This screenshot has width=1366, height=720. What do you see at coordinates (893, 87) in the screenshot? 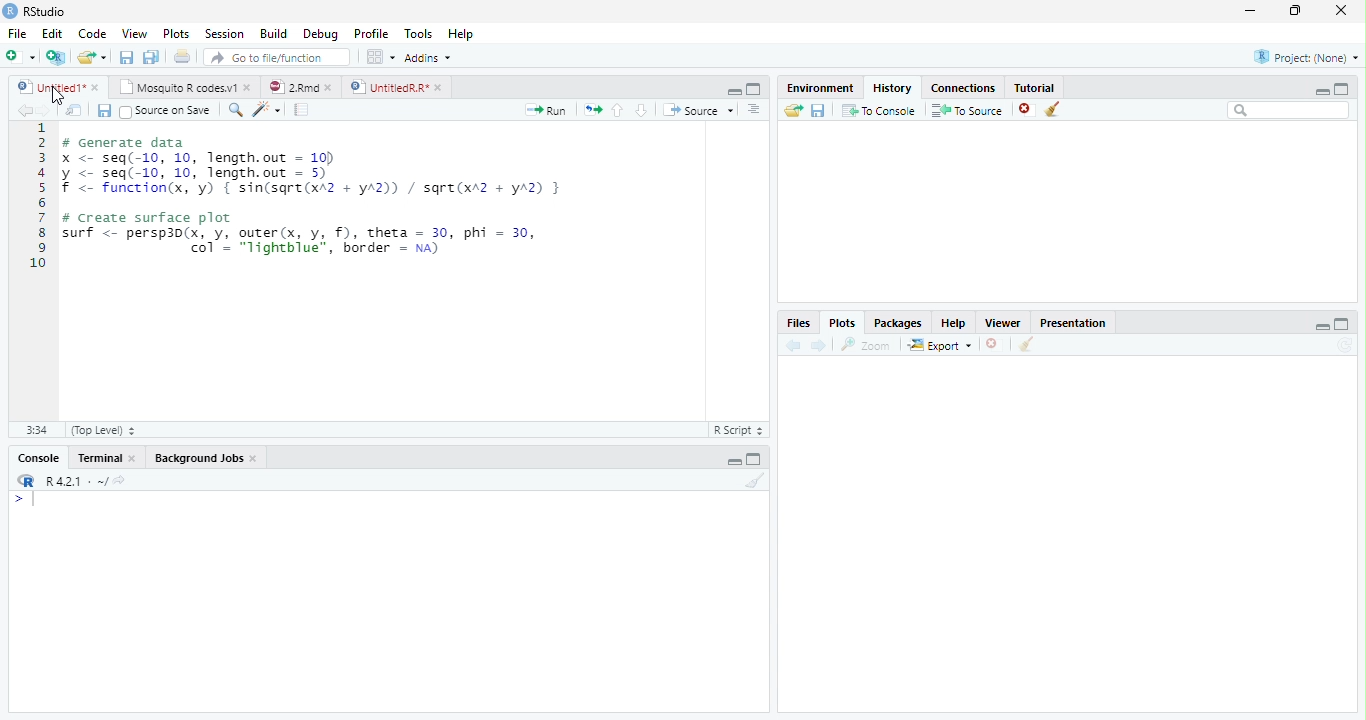
I see `History` at bounding box center [893, 87].